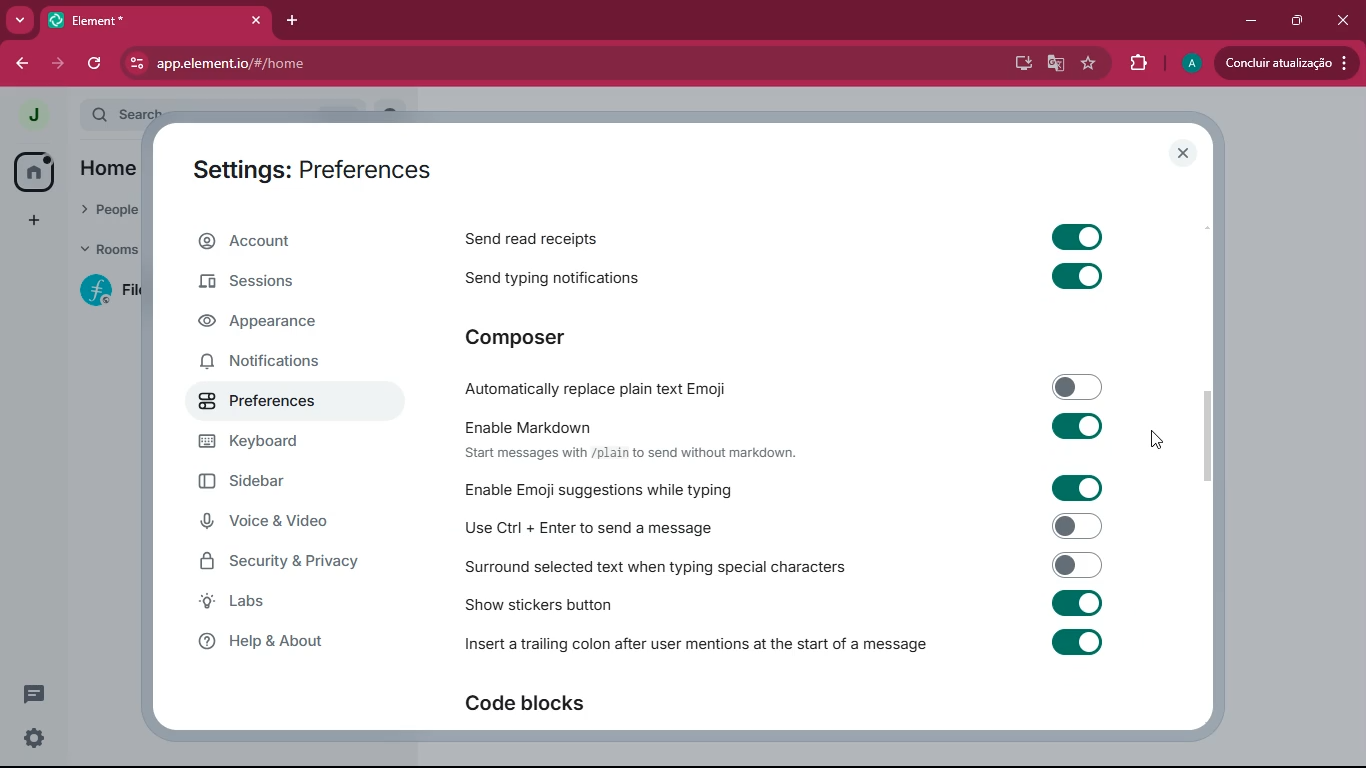  I want to click on surrond text, so click(651, 566).